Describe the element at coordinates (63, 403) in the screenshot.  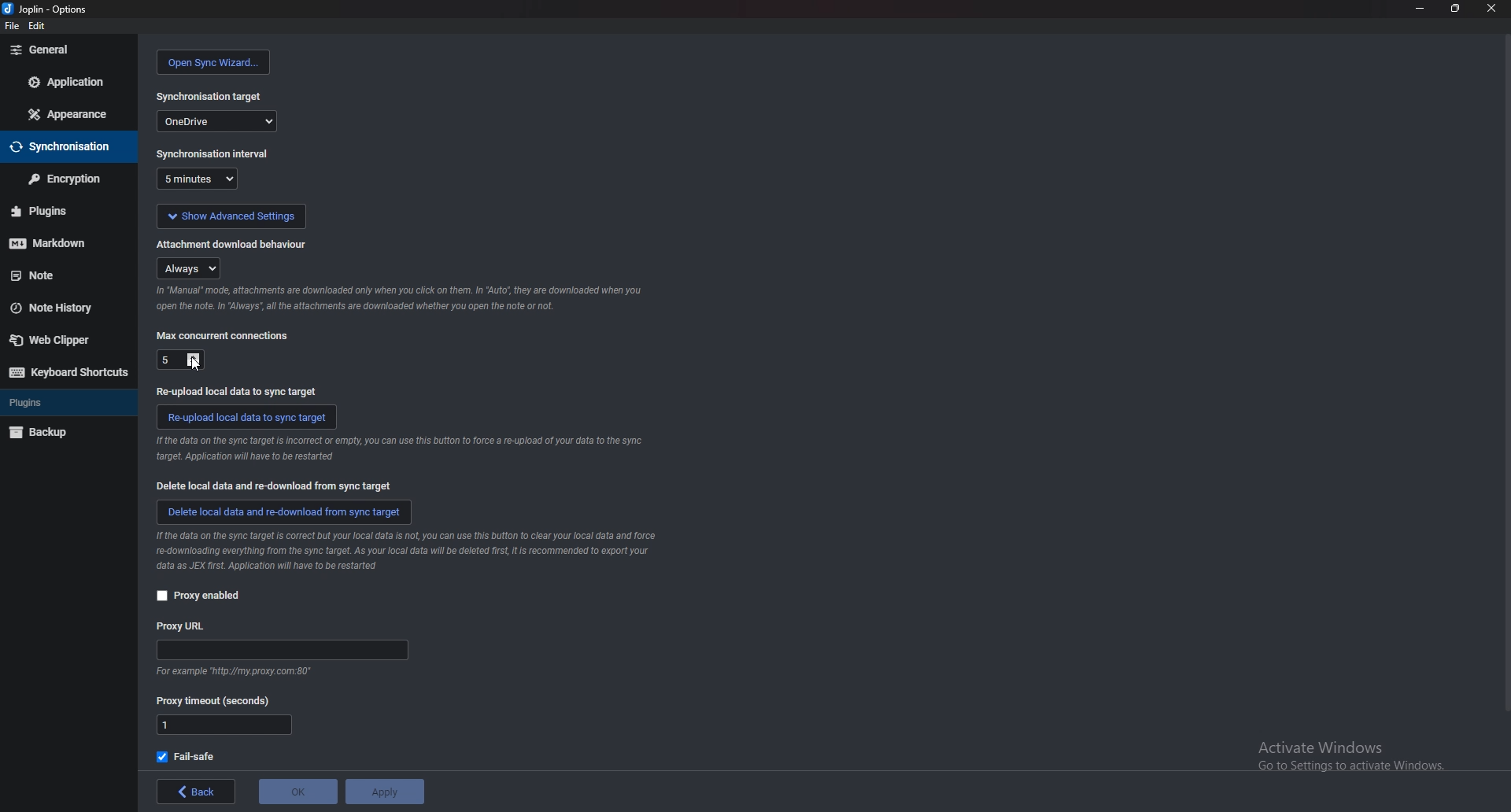
I see `plugins` at that location.